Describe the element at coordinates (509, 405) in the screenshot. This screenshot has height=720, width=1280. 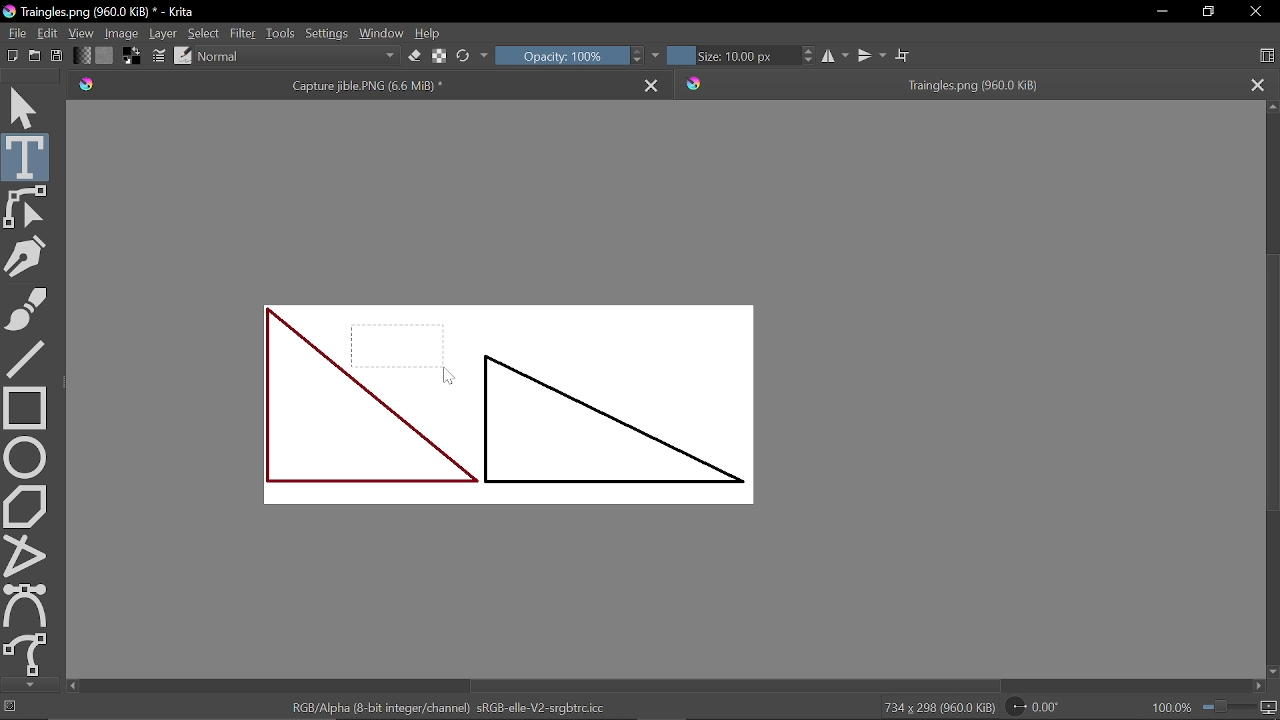
I see `shapes` at that location.